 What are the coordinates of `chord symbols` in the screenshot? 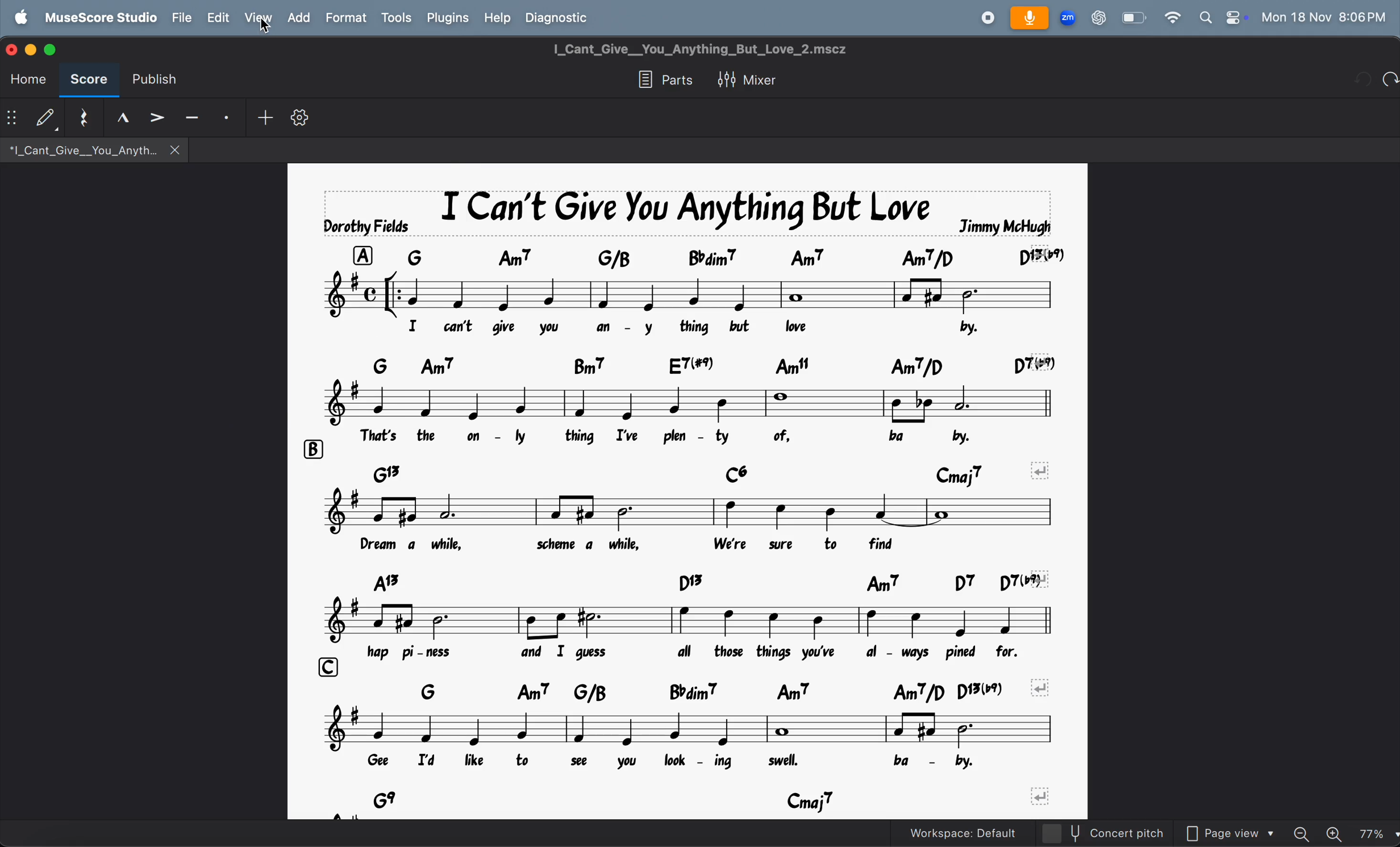 It's located at (707, 798).